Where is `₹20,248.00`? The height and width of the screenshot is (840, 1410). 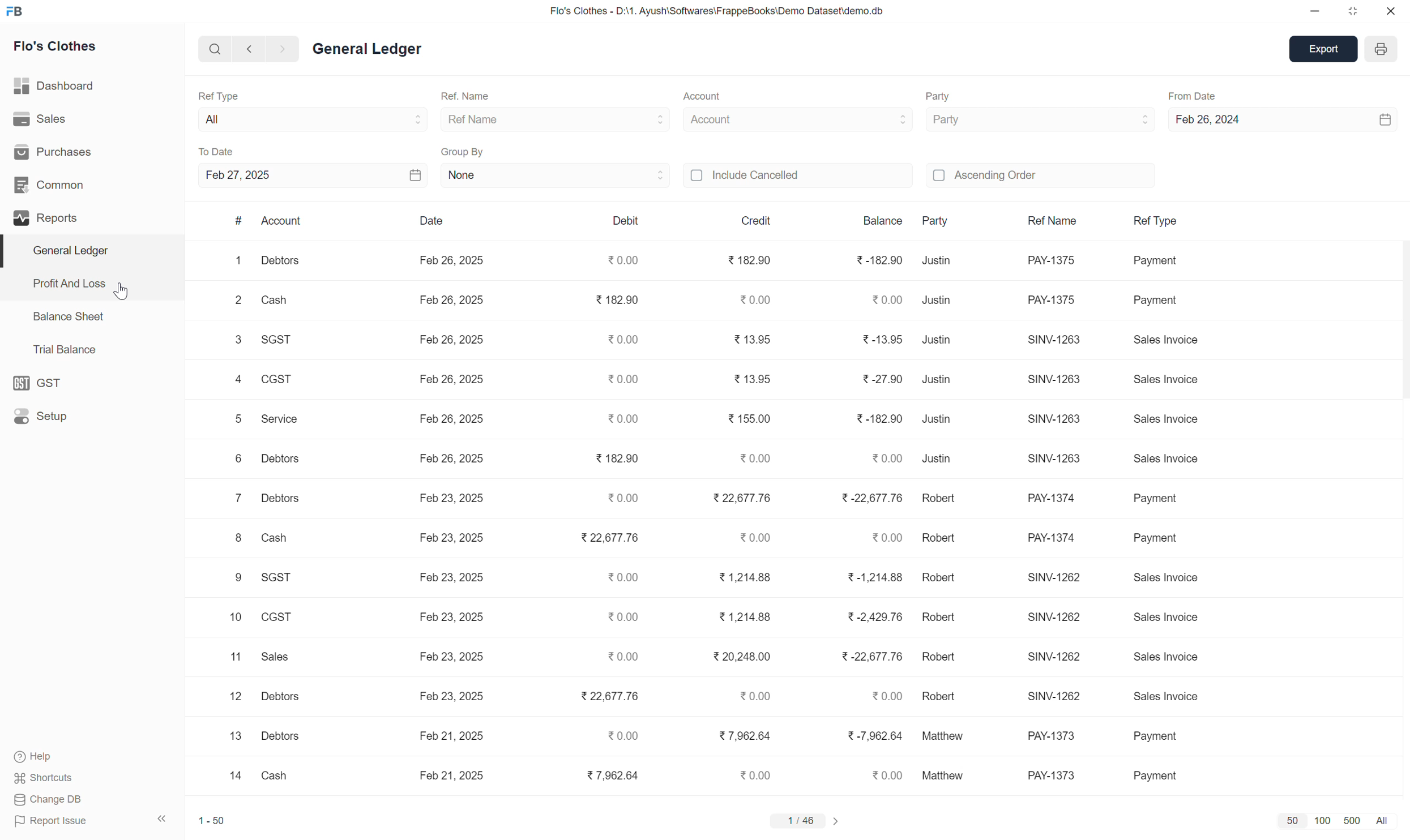
₹20,248.00 is located at coordinates (743, 657).